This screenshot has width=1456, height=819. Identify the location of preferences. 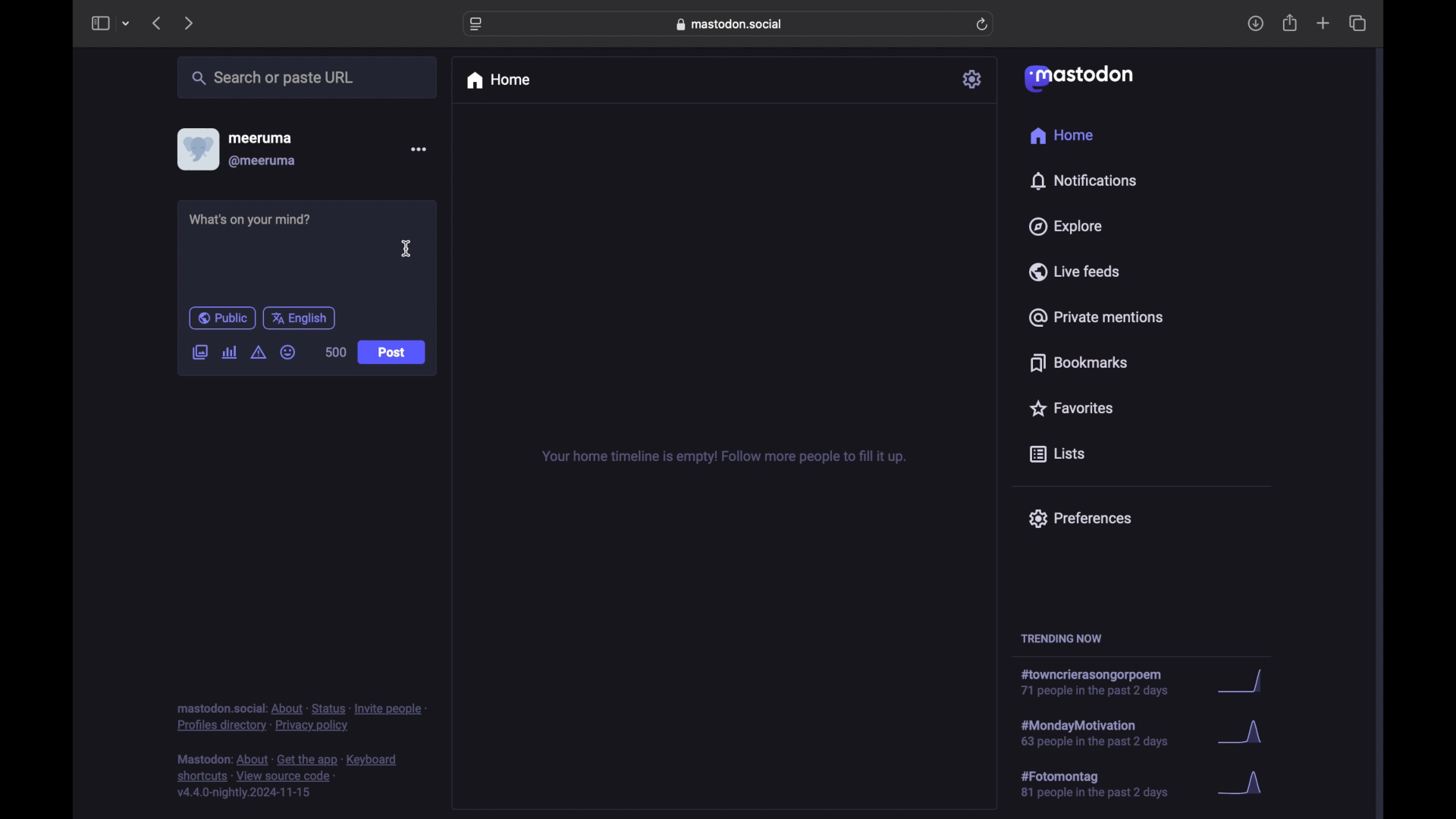
(1080, 519).